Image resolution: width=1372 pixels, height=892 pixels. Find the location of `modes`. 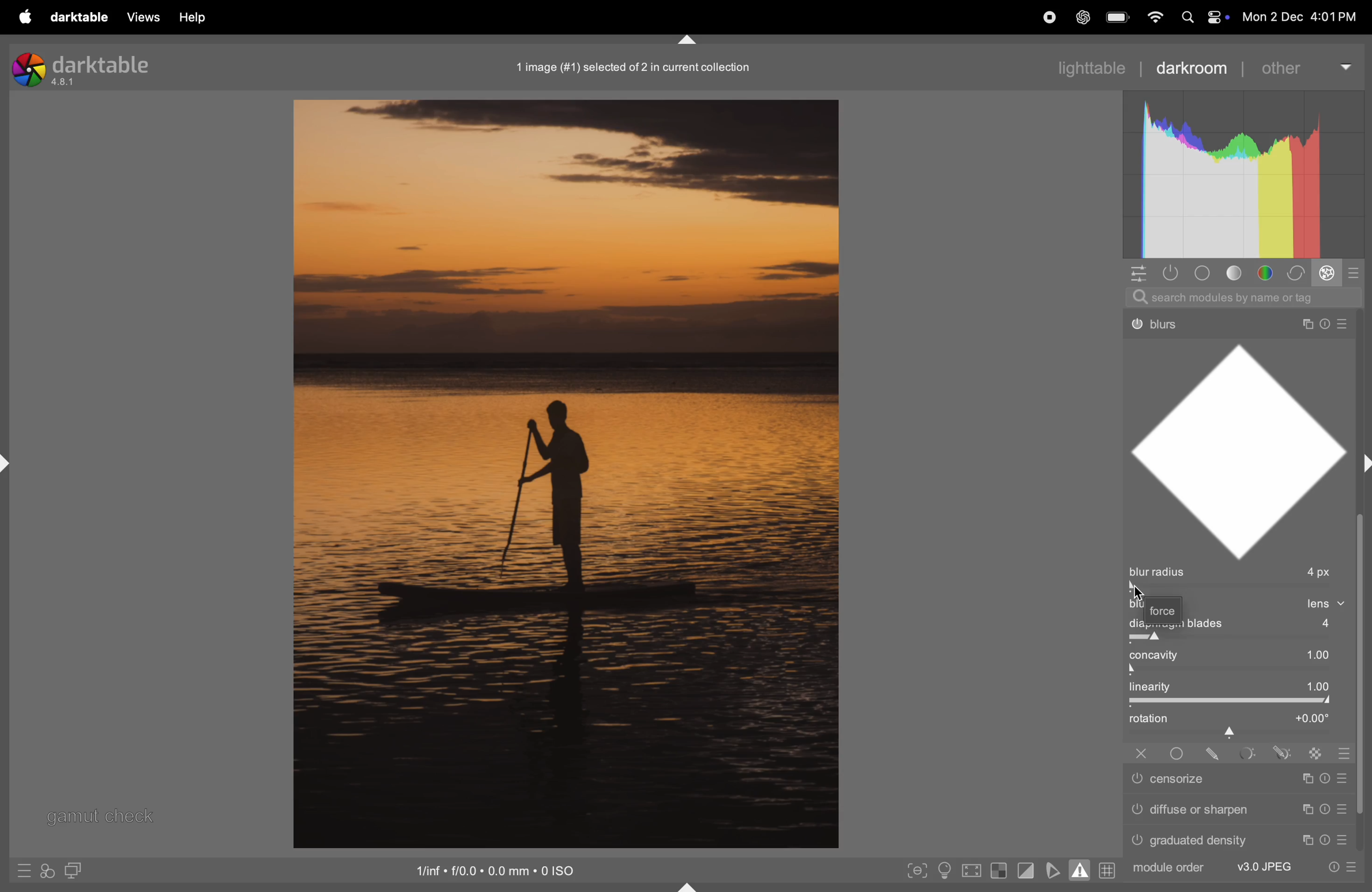

modes is located at coordinates (1357, 272).